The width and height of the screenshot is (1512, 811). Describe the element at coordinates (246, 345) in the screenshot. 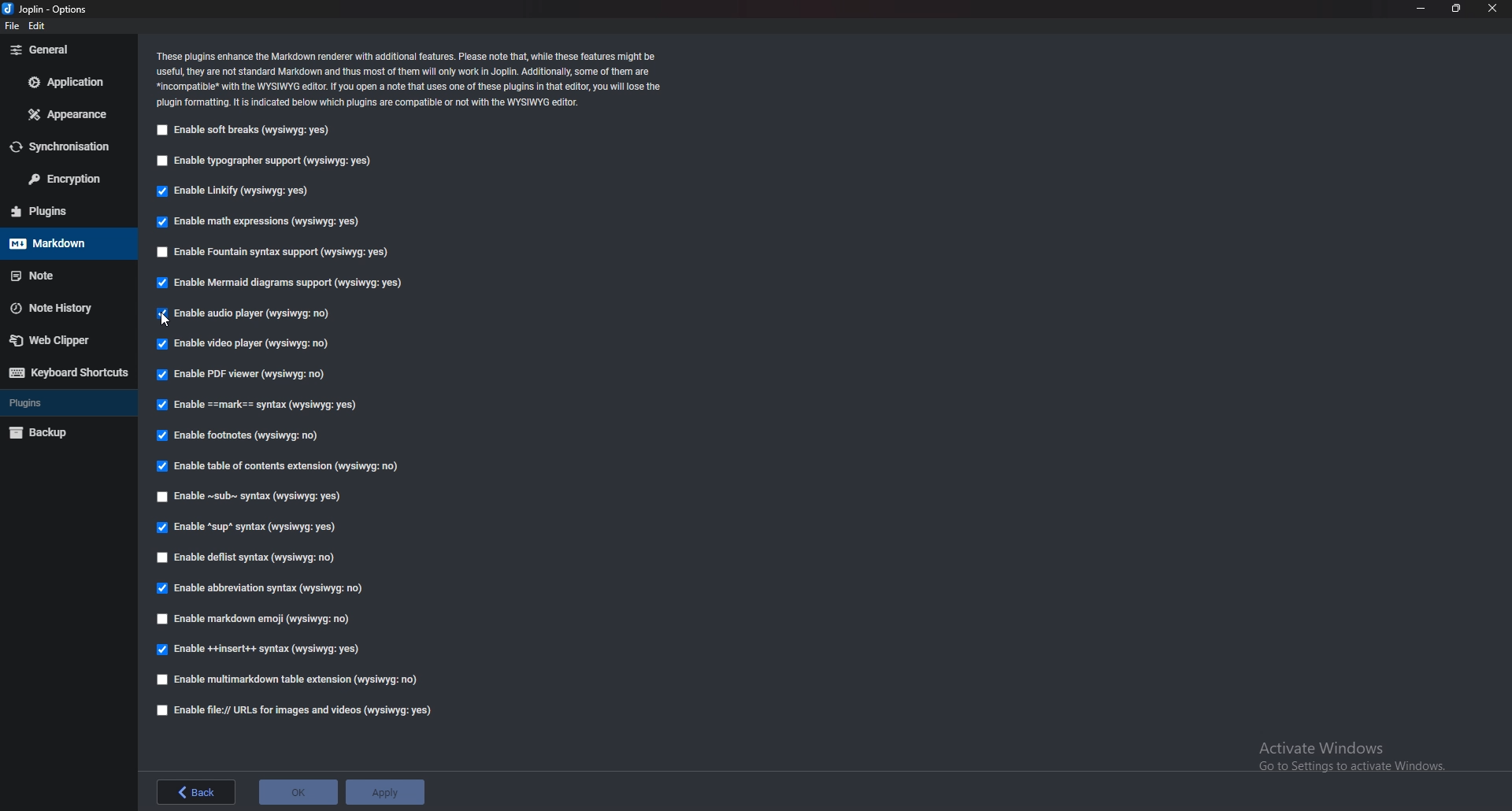

I see `Enable video player` at that location.